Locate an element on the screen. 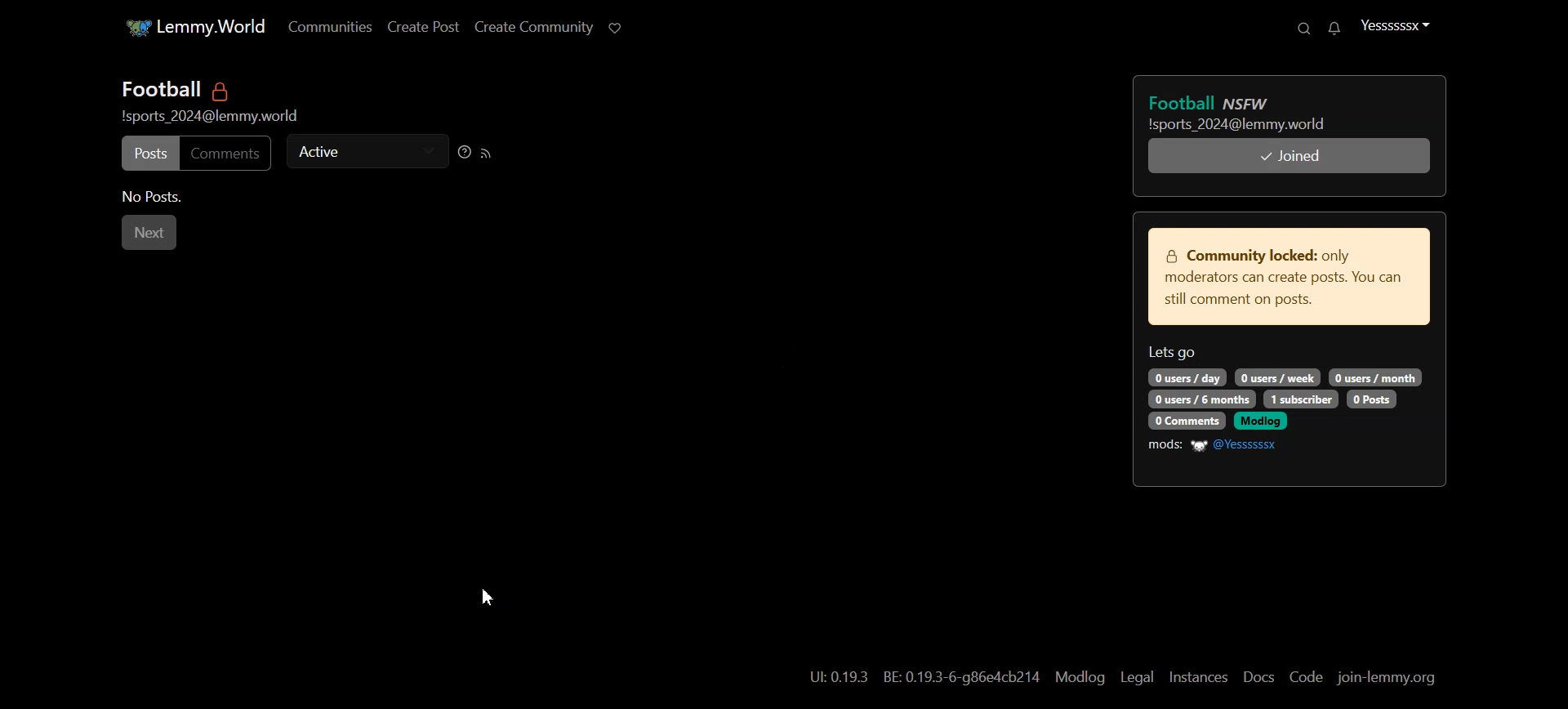 The height and width of the screenshot is (709, 1568). Join-lemmy.org is located at coordinates (1376, 677).